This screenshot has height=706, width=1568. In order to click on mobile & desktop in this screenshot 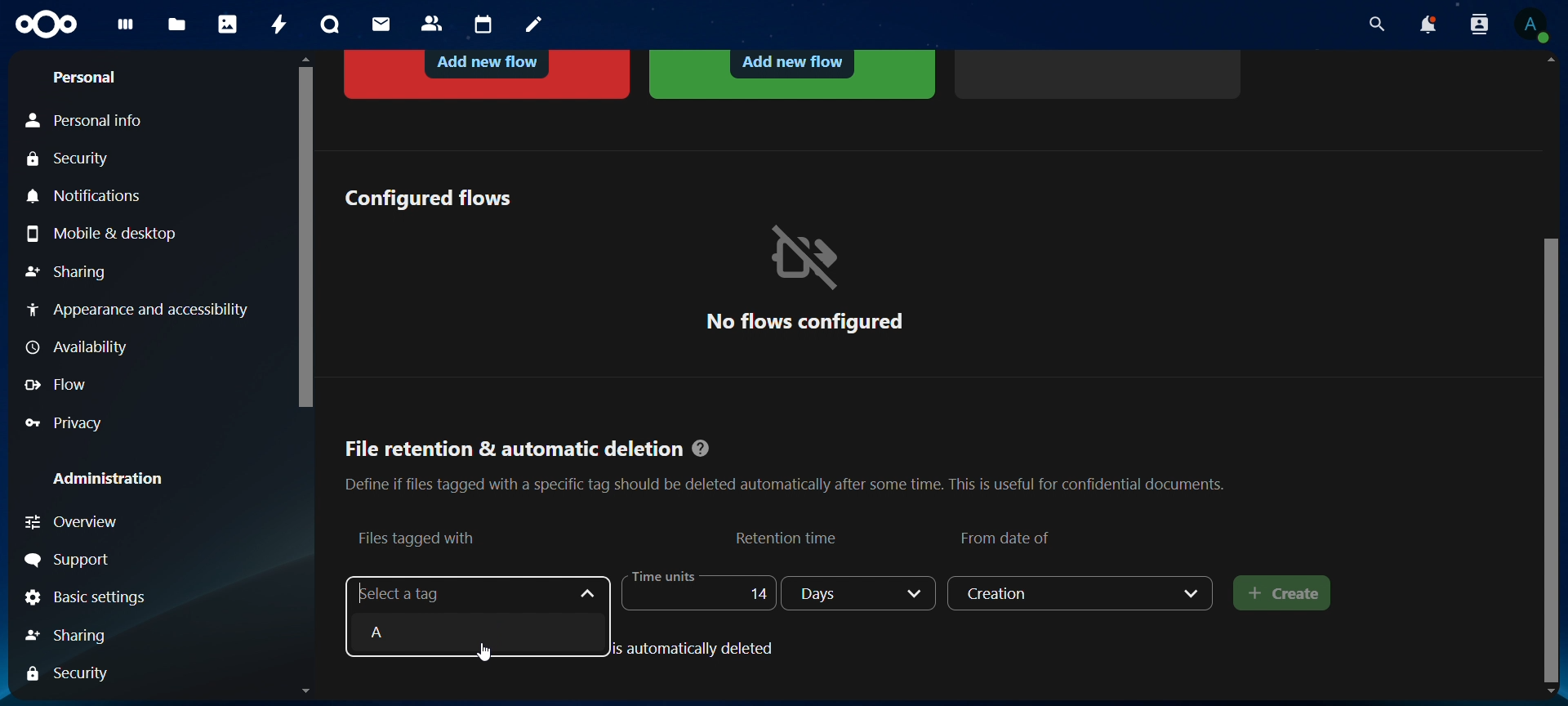, I will do `click(106, 233)`.